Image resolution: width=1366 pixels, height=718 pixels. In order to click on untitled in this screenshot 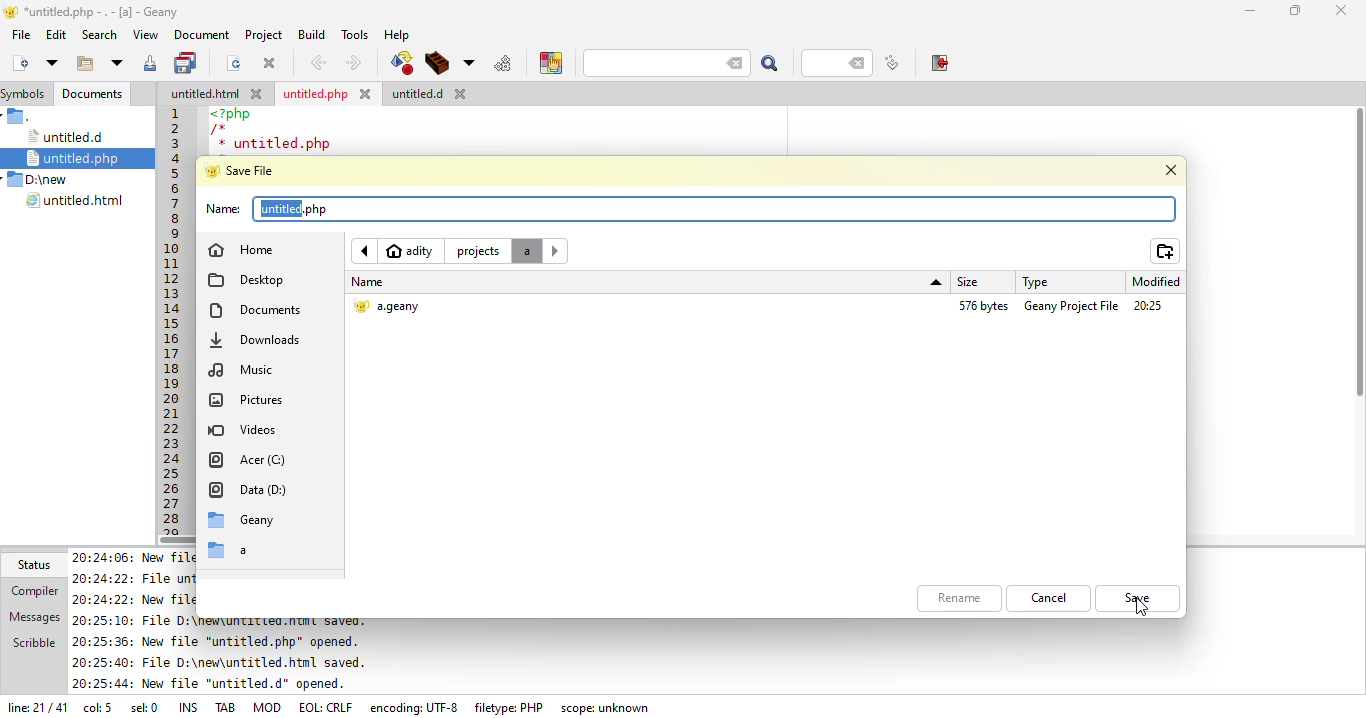, I will do `click(297, 209)`.